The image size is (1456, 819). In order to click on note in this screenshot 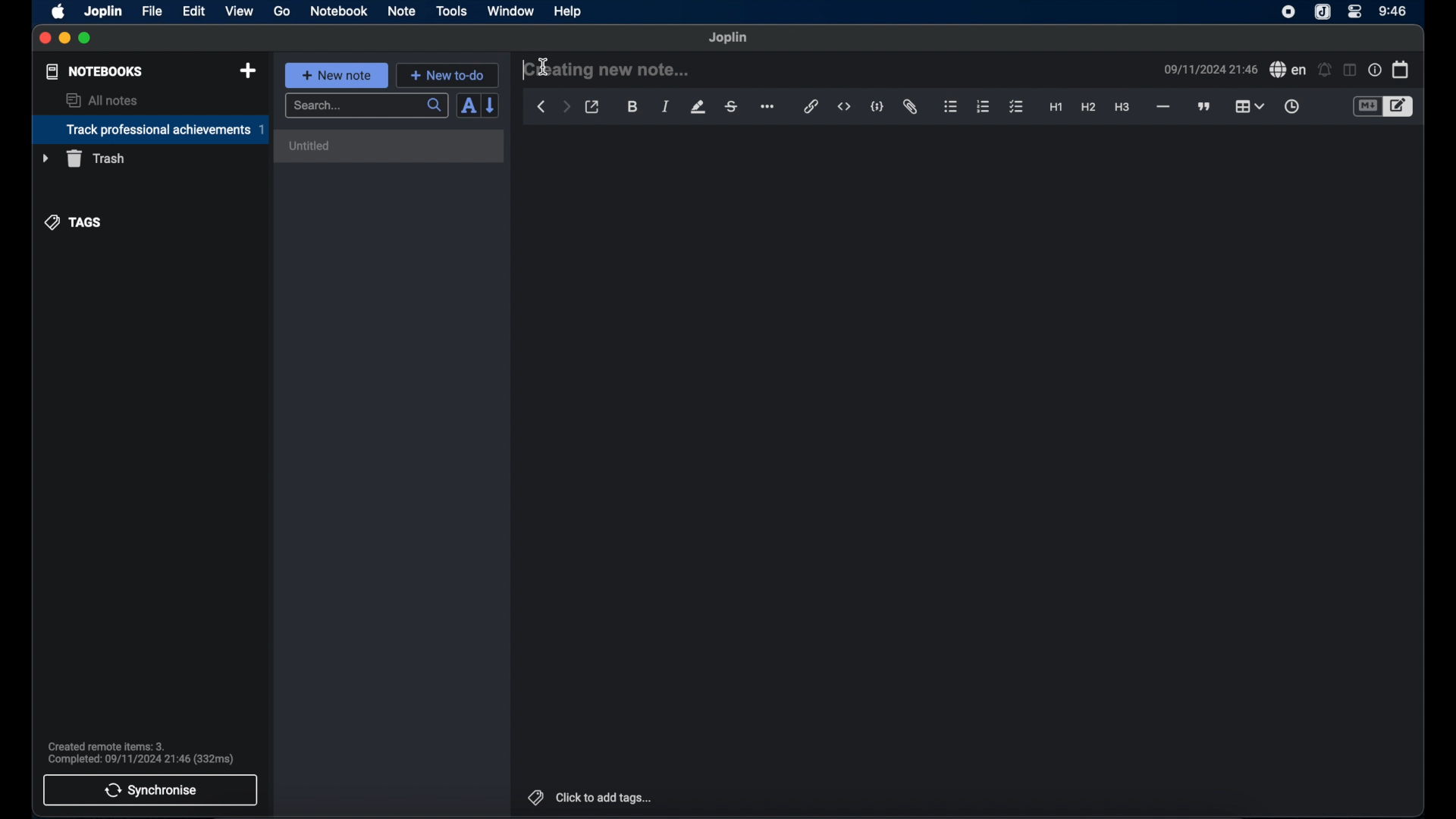, I will do `click(401, 11)`.